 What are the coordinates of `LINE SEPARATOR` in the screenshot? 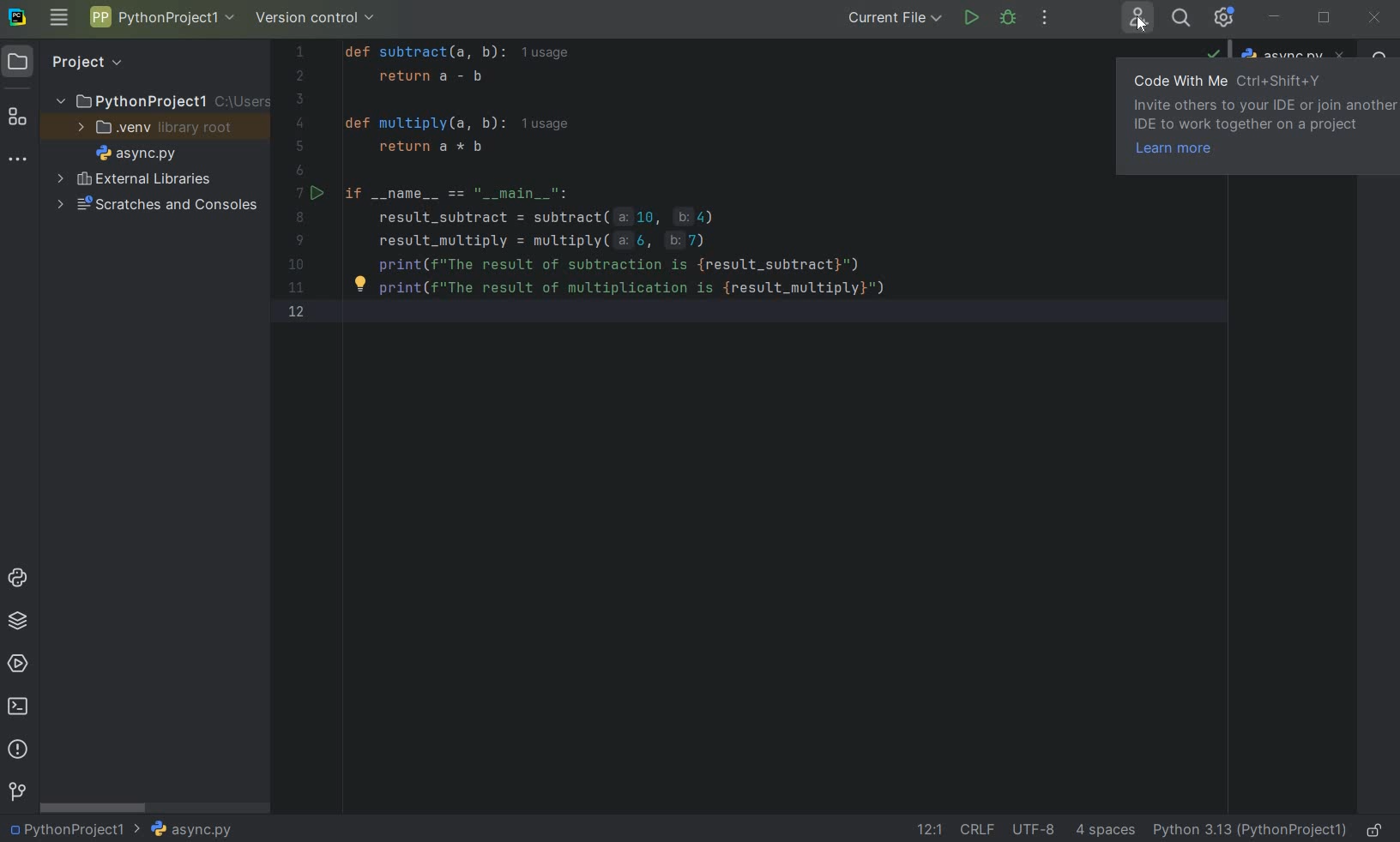 It's located at (979, 828).